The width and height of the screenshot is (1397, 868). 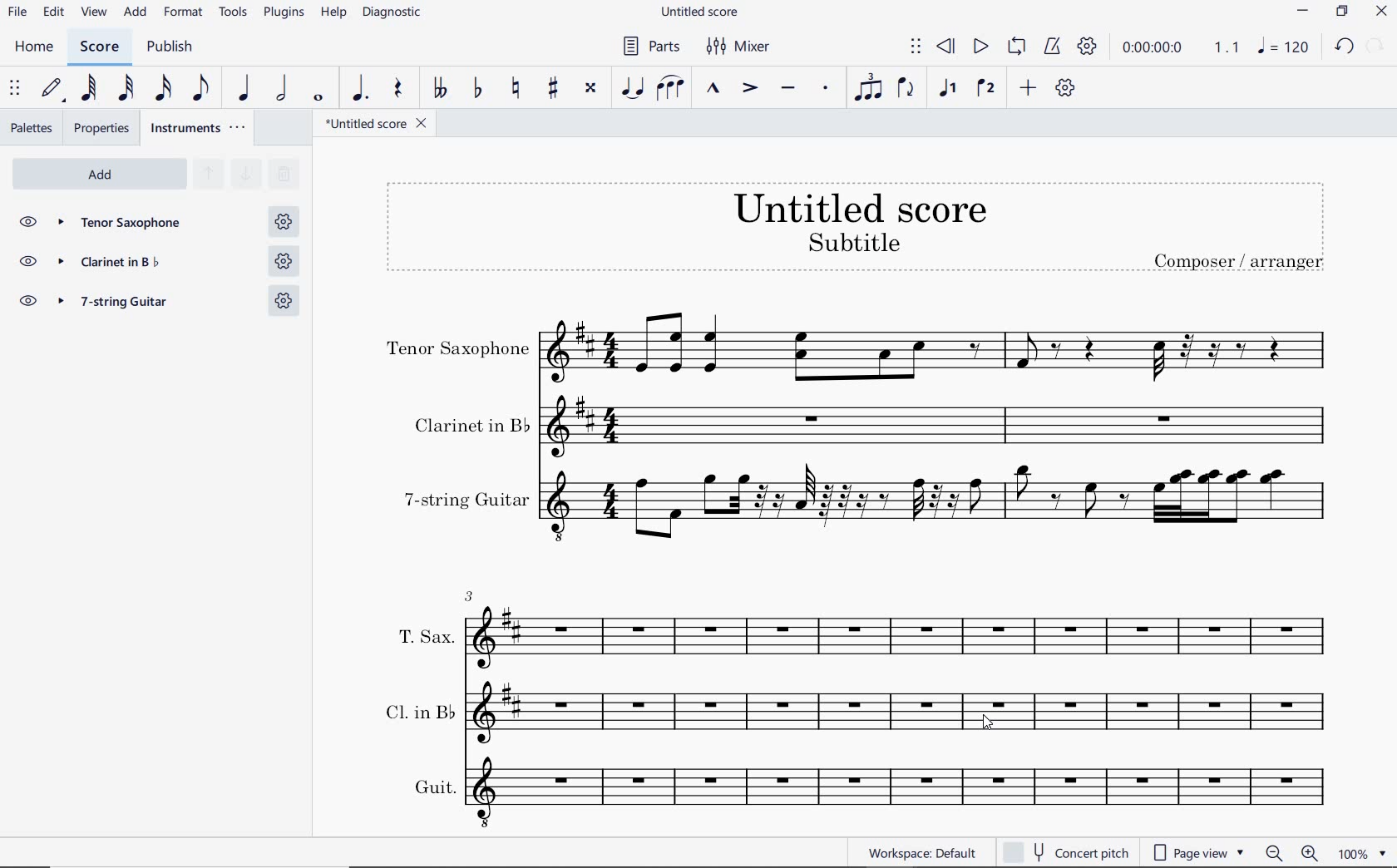 What do you see at coordinates (1085, 47) in the screenshot?
I see `PLAYBACK SETTINGS` at bounding box center [1085, 47].